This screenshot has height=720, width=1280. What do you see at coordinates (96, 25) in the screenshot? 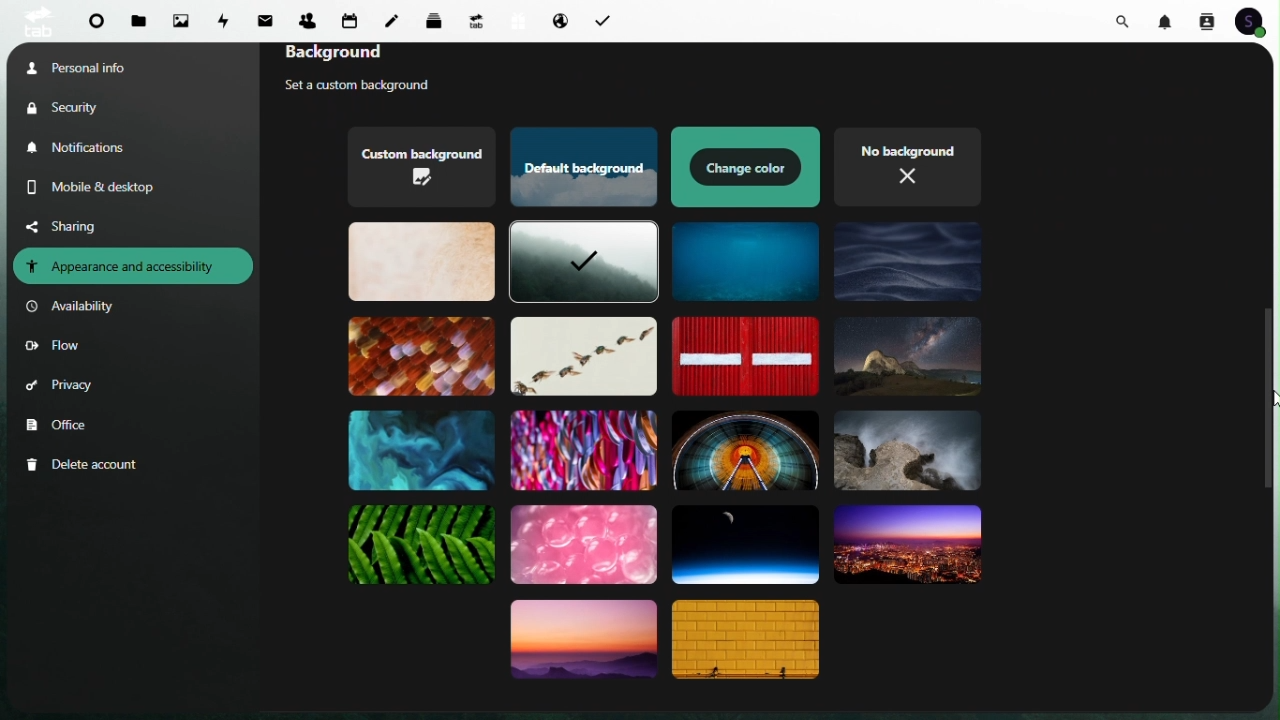
I see `dashboard` at bounding box center [96, 25].